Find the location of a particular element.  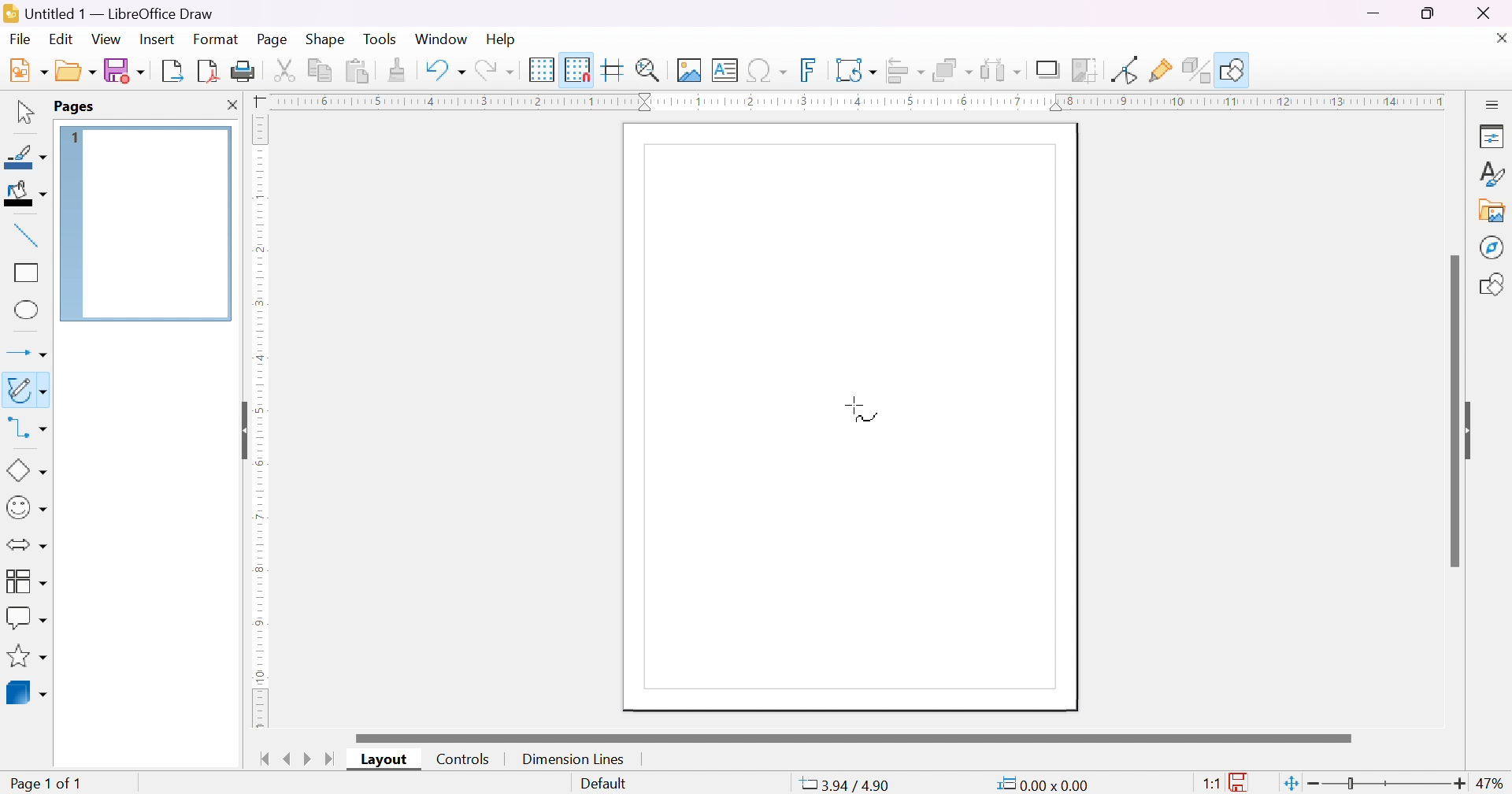

new is located at coordinates (28, 70).